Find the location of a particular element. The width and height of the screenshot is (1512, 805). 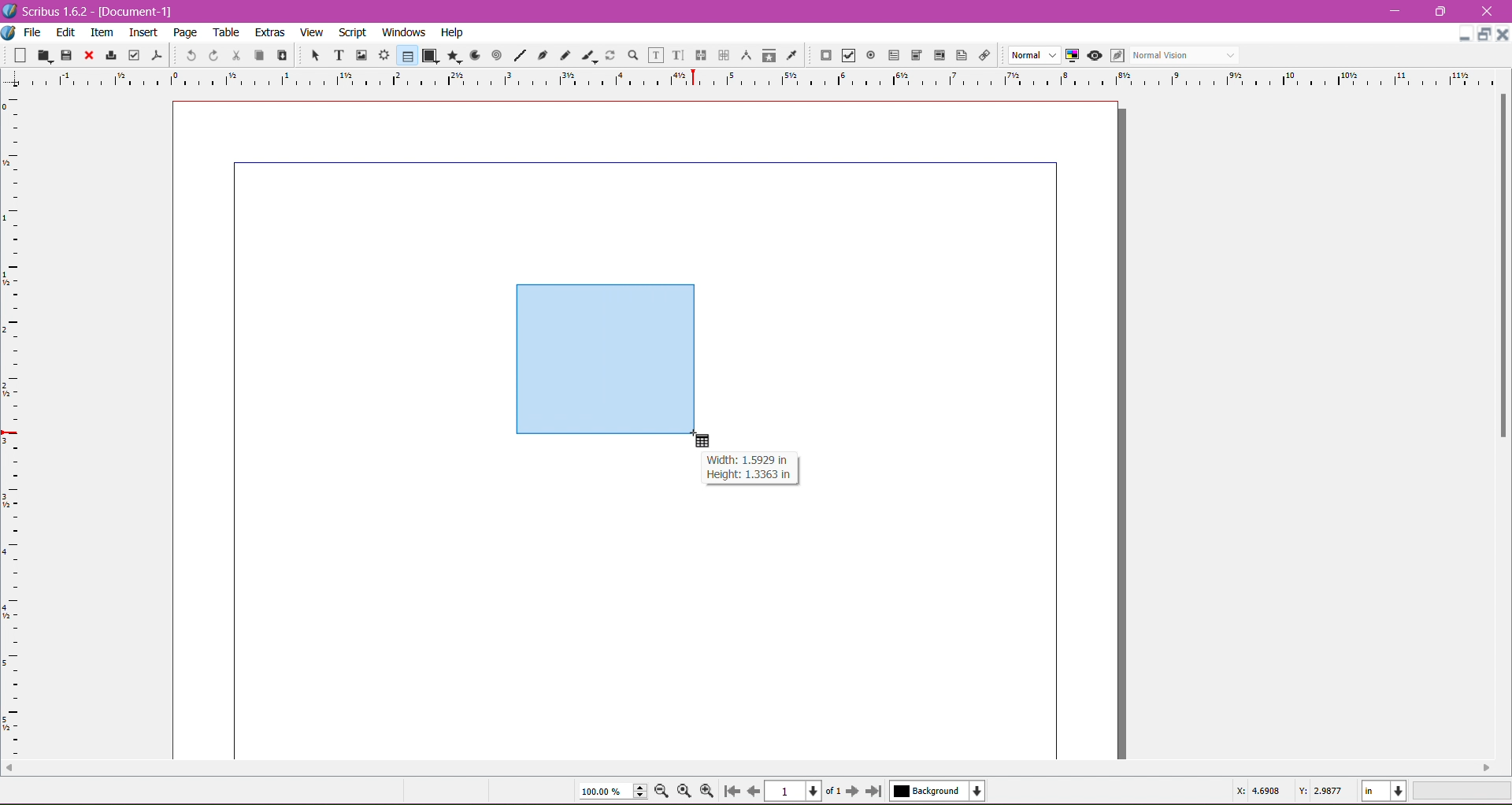

Table drag area is located at coordinates (607, 360).